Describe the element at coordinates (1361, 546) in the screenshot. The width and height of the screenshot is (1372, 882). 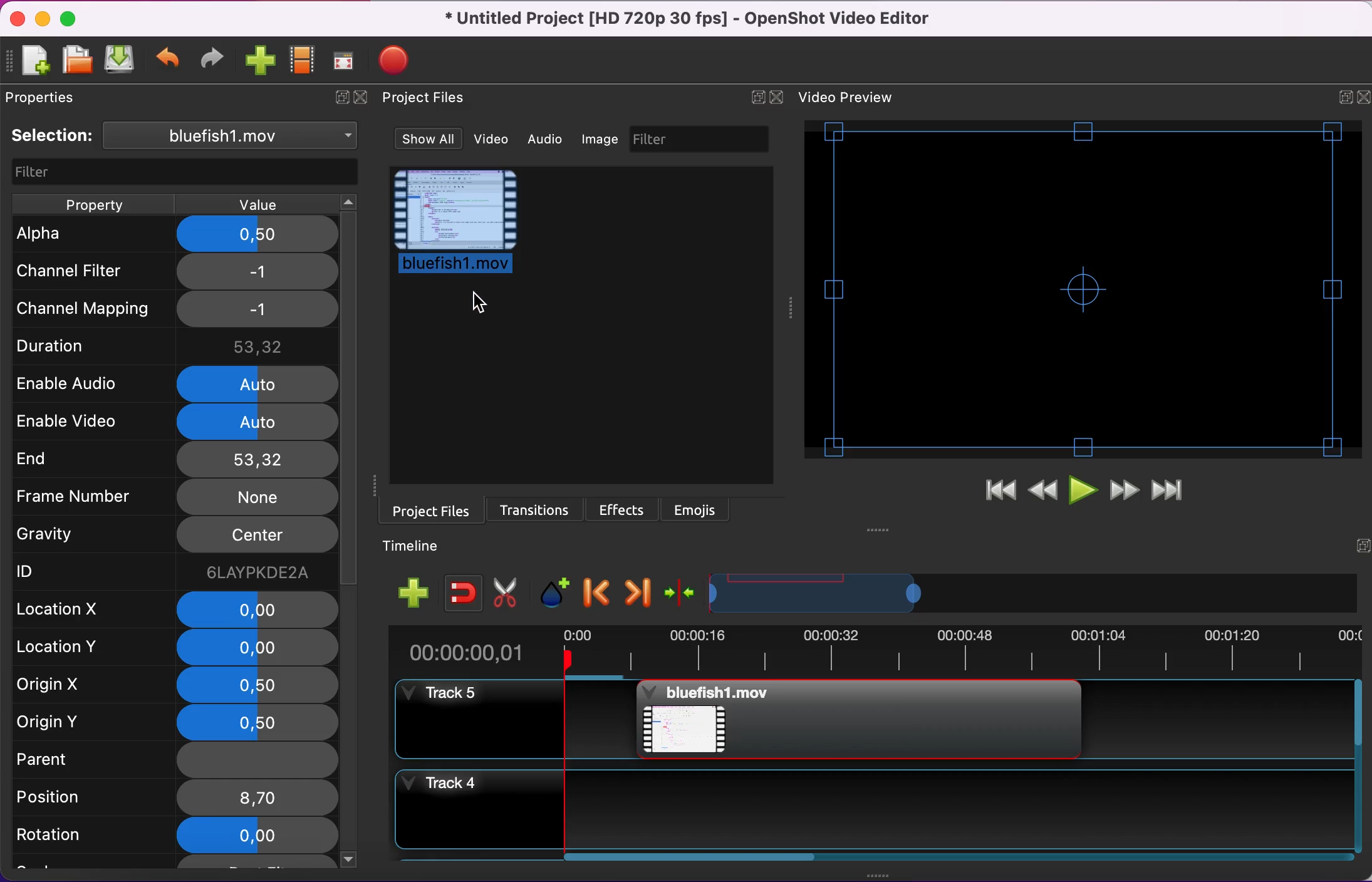
I see `expand/hide` at that location.